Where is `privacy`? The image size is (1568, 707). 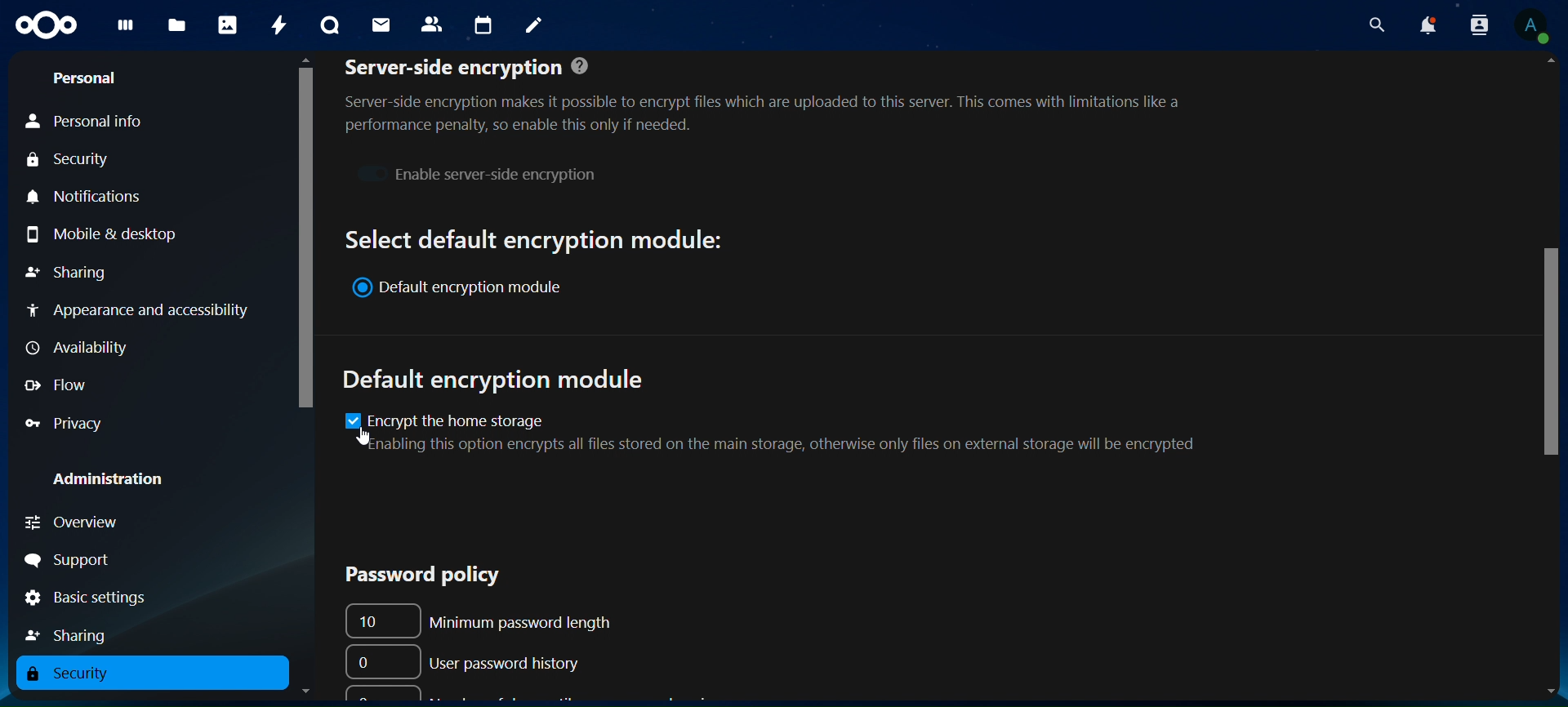 privacy is located at coordinates (65, 425).